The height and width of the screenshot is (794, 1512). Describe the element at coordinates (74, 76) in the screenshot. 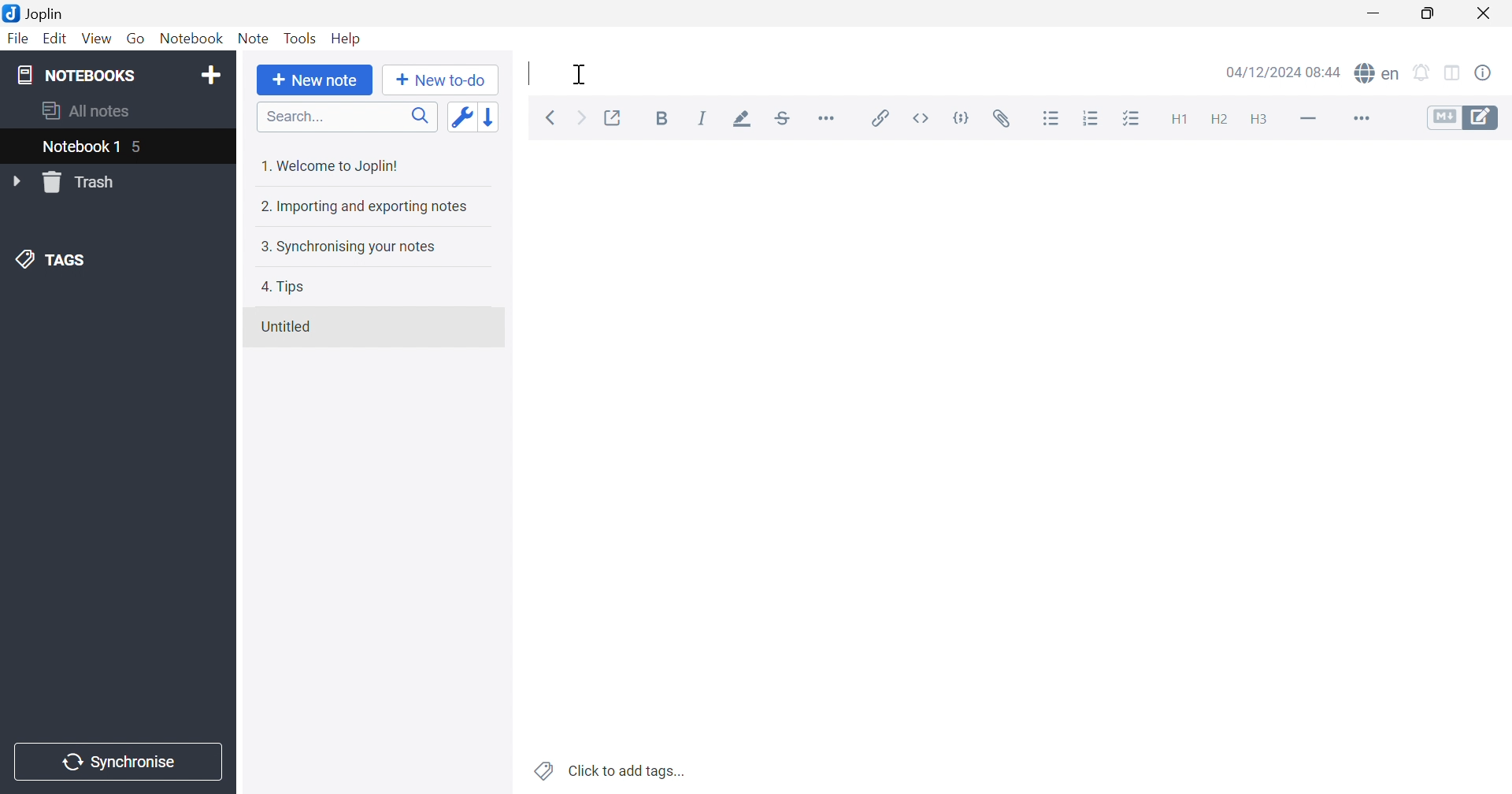

I see `NOTEBOOKS` at that location.